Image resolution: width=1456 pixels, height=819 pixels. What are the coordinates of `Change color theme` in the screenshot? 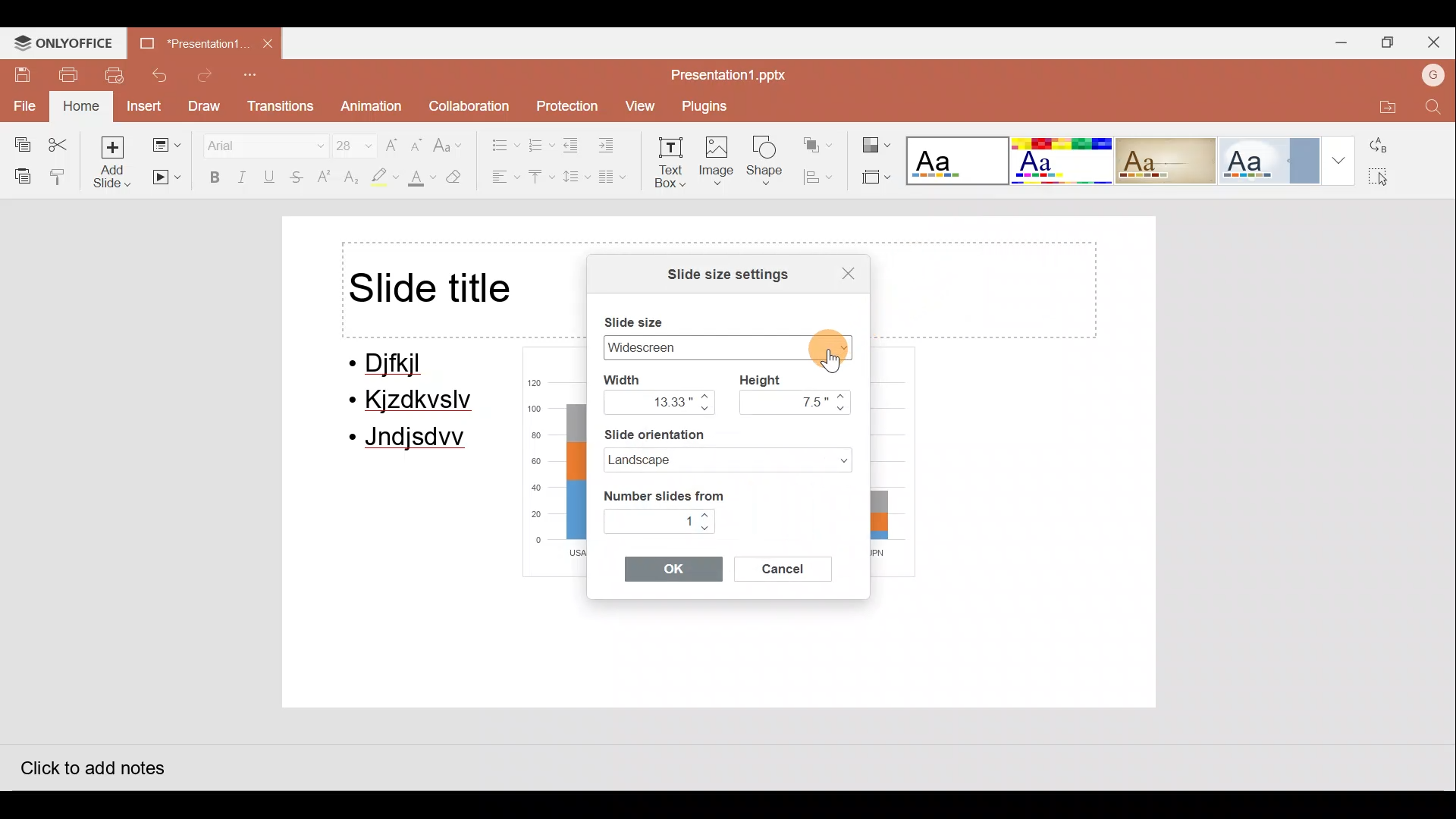 It's located at (877, 140).